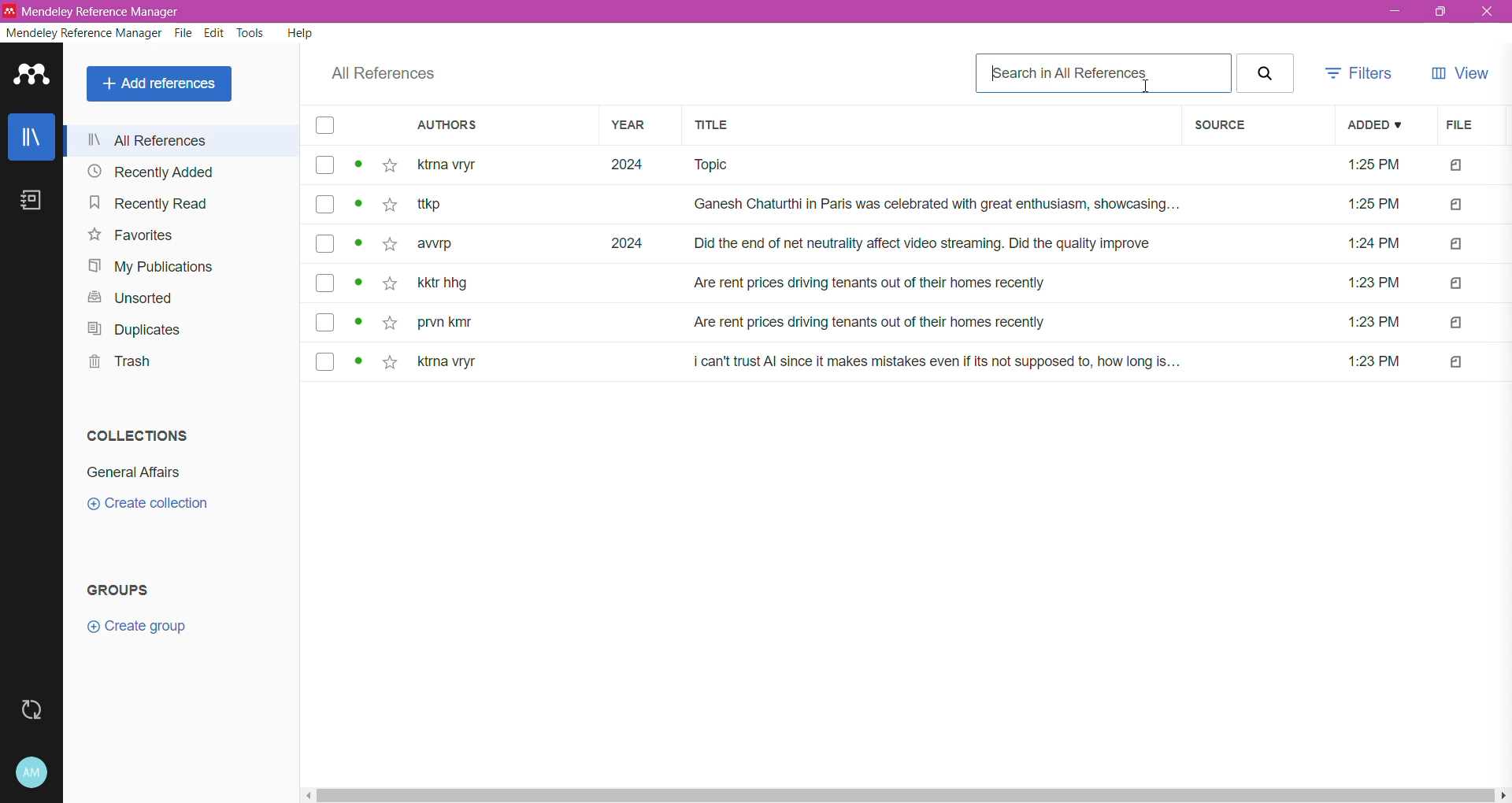 The width and height of the screenshot is (1512, 803). I want to click on Authors, so click(491, 127).